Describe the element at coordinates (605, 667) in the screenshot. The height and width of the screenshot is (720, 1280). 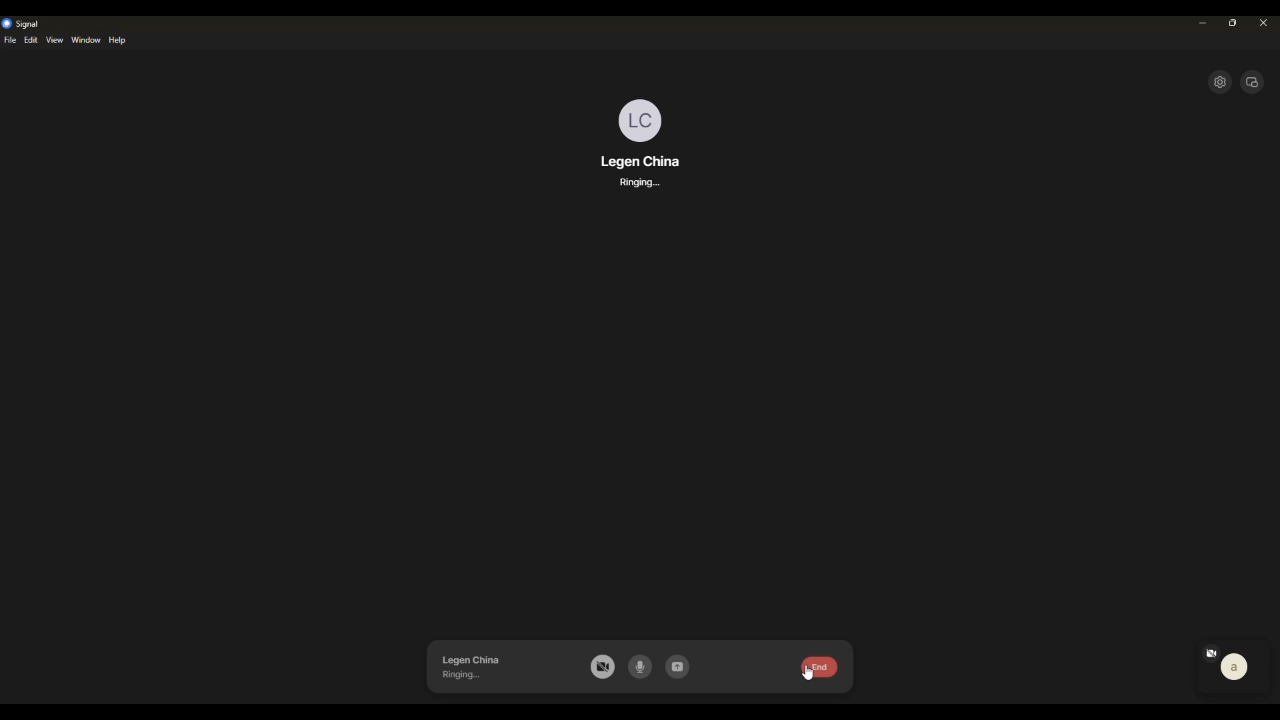
I see `camera off` at that location.